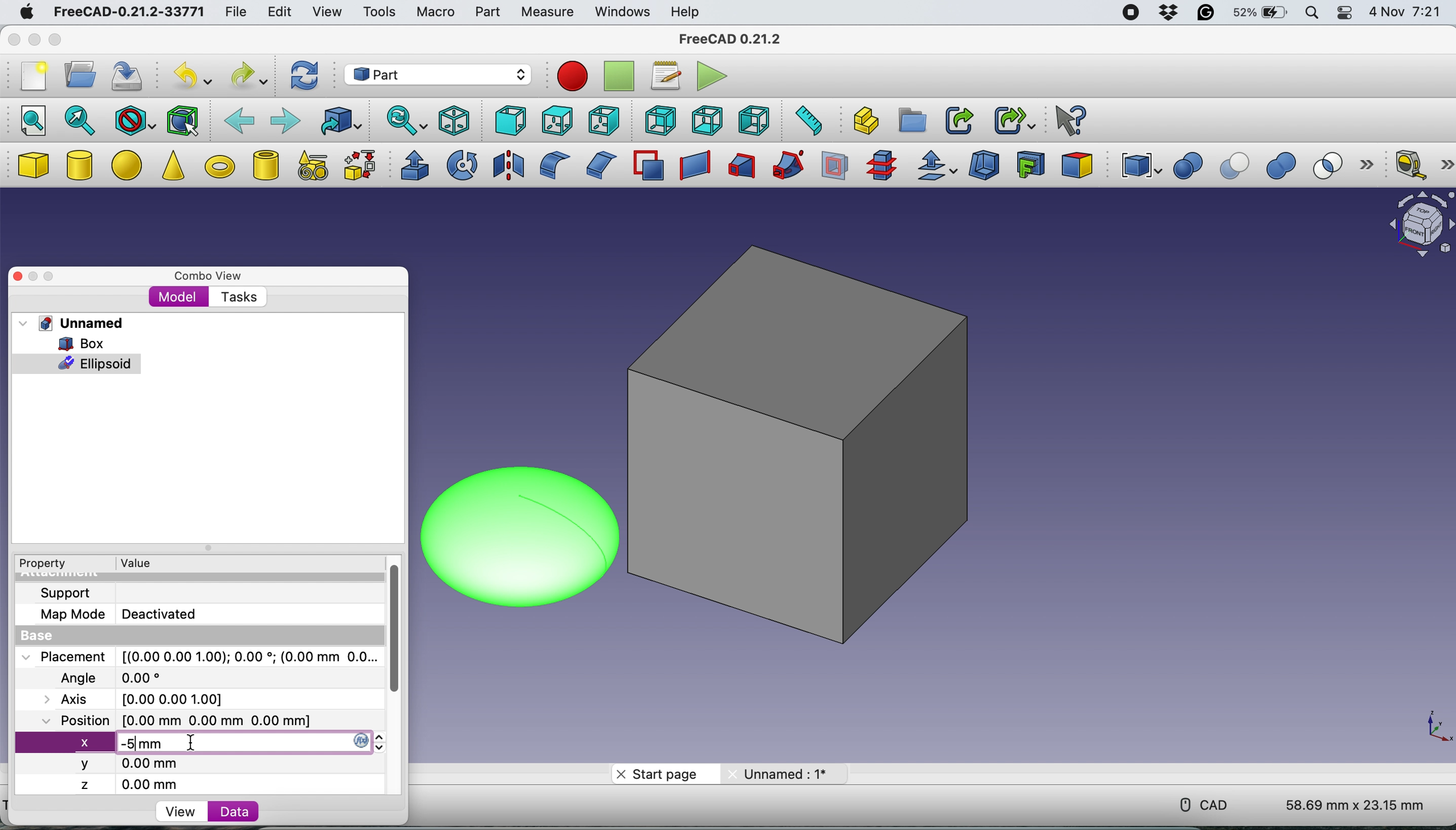 Image resolution: width=1456 pixels, height=830 pixels. What do you see at coordinates (239, 119) in the screenshot?
I see `backward` at bounding box center [239, 119].